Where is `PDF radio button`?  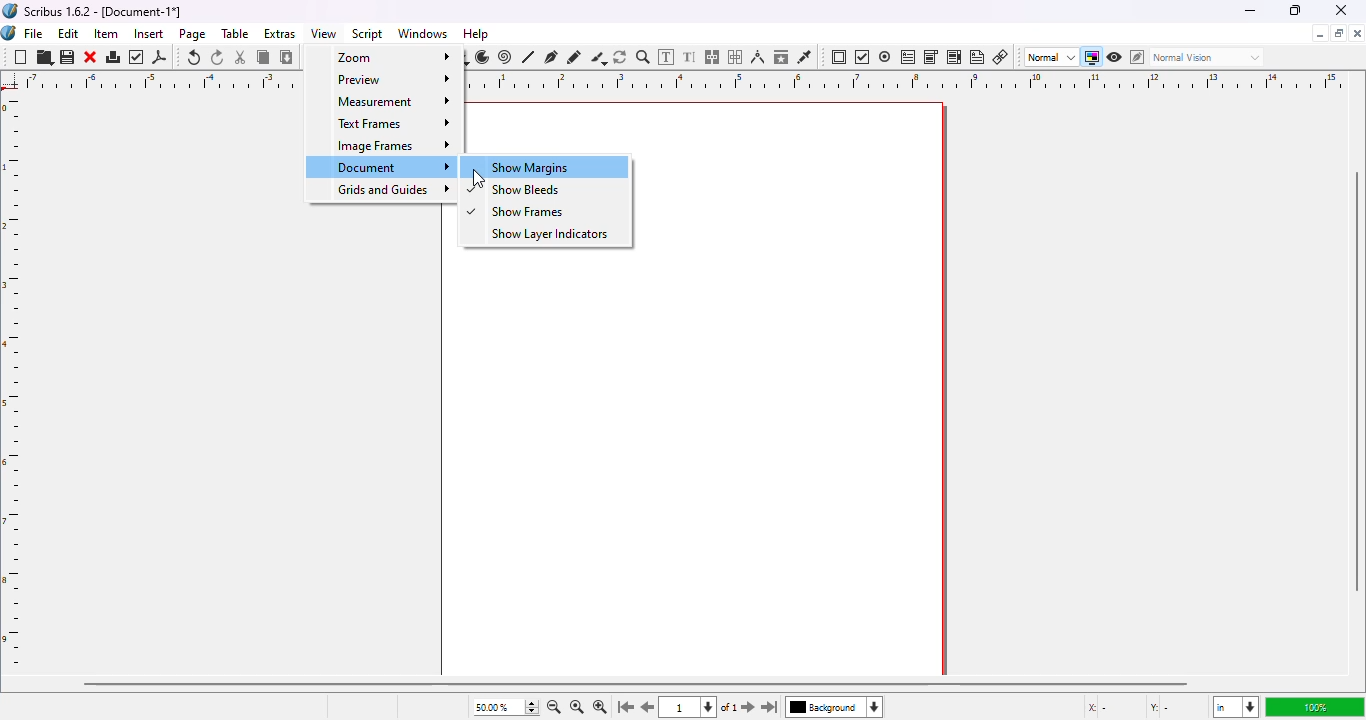
PDF radio button is located at coordinates (885, 57).